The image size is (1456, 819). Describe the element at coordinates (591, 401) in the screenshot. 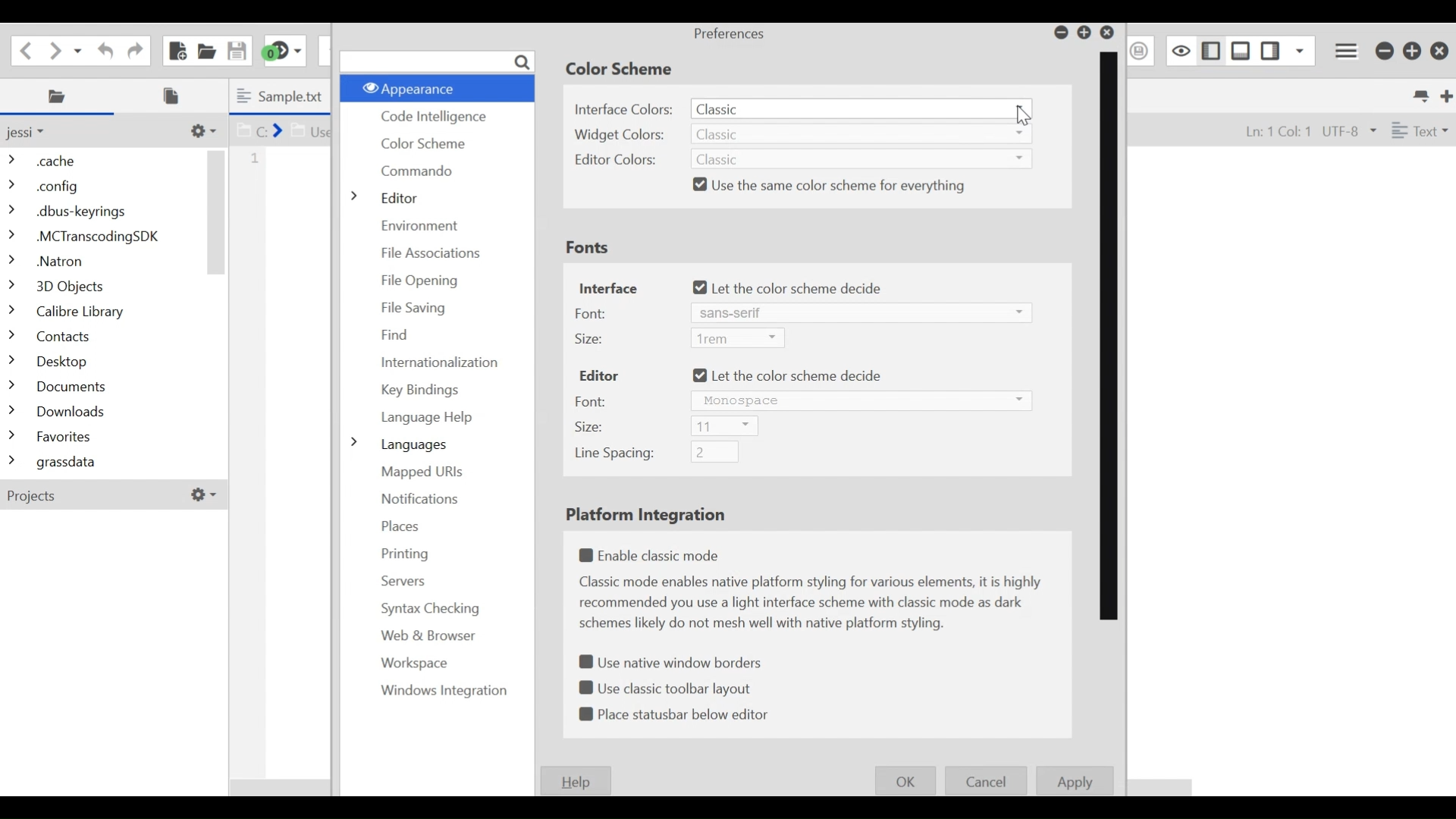

I see `Font` at that location.